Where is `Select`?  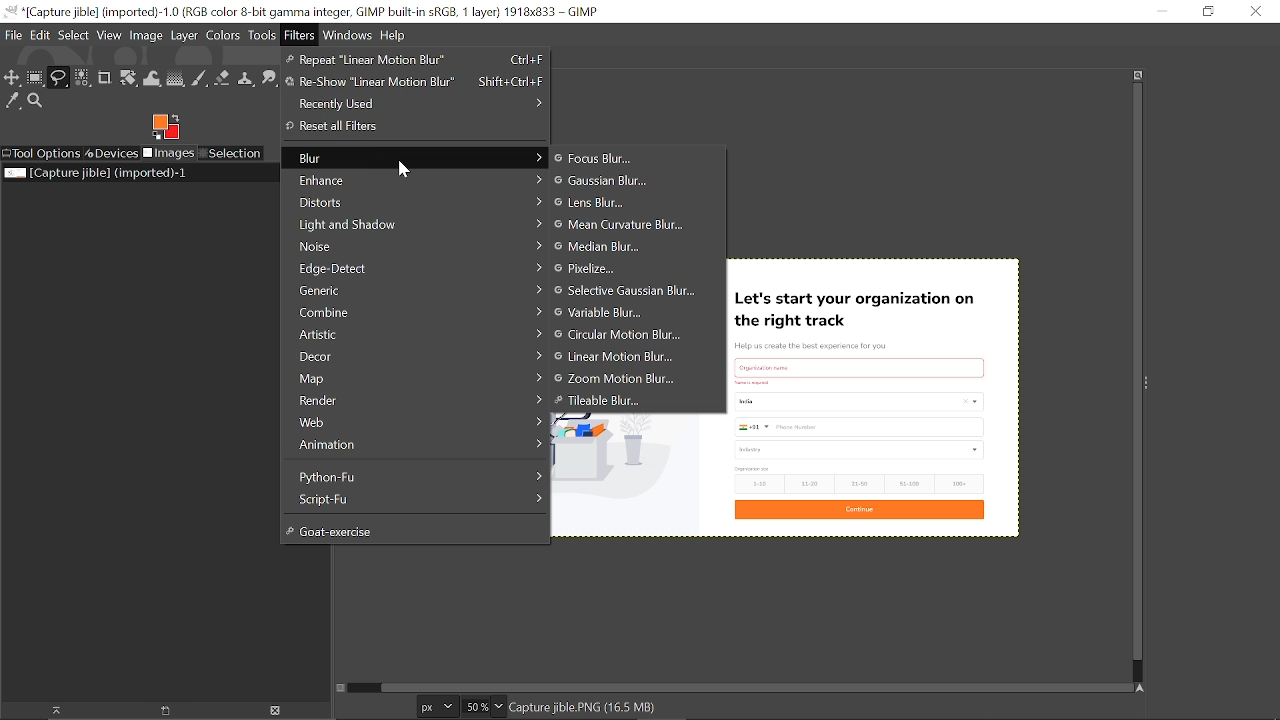 Select is located at coordinates (74, 35).